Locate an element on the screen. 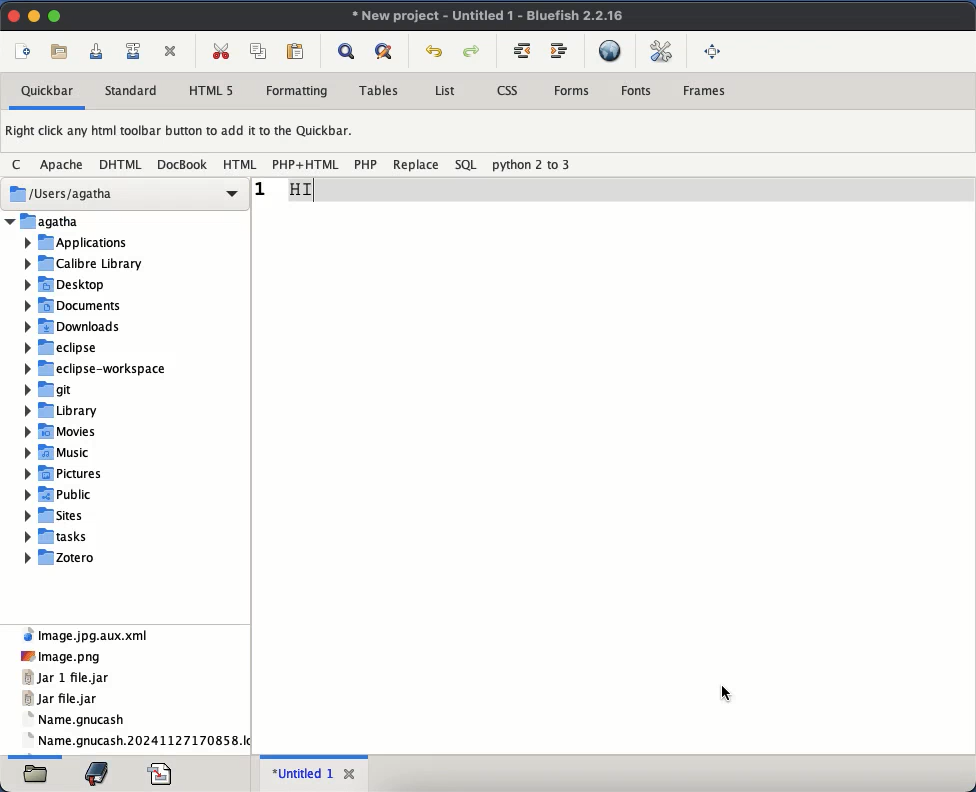 The height and width of the screenshot is (792, 976). standard is located at coordinates (131, 91).